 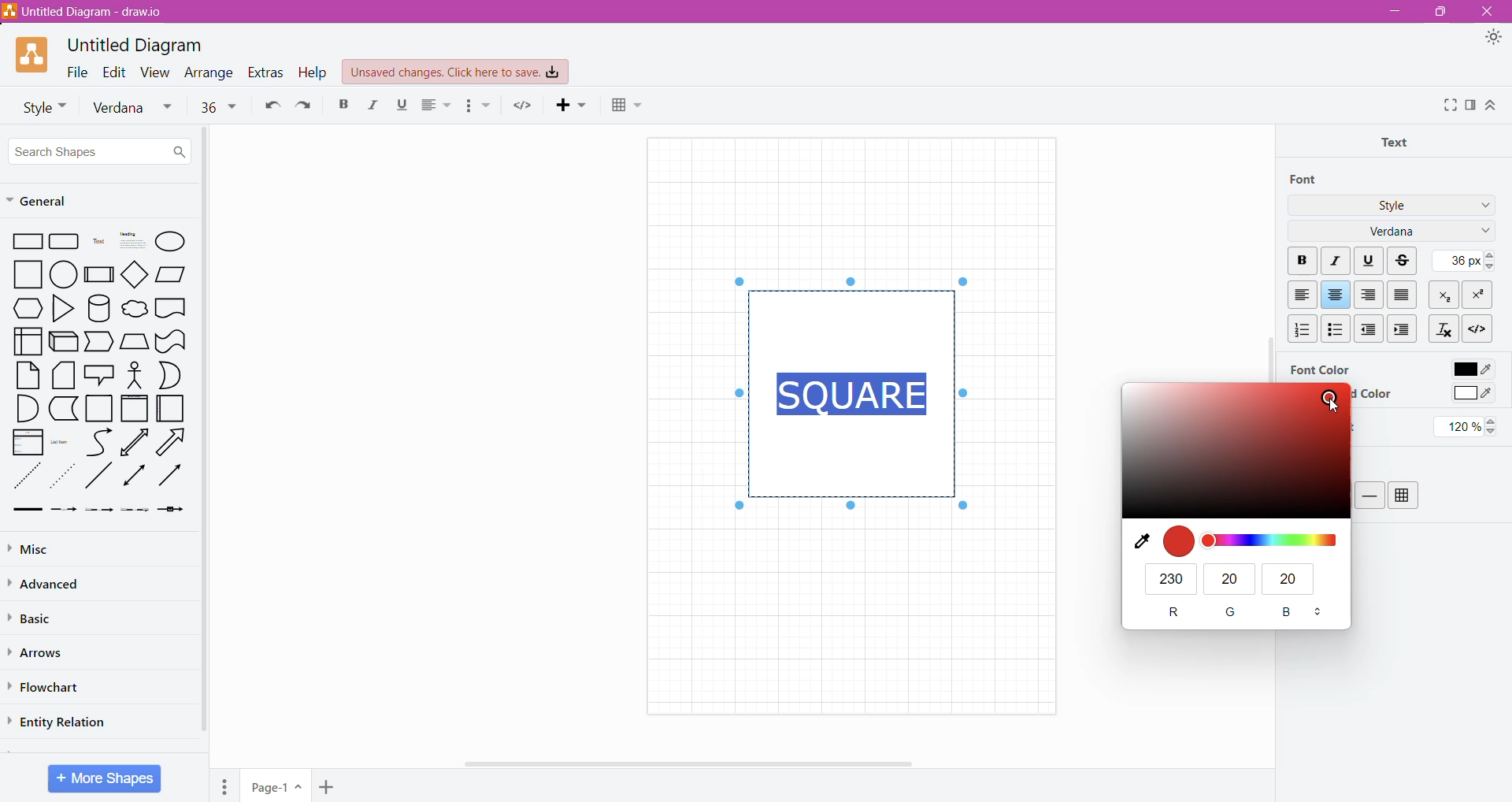 What do you see at coordinates (695, 763) in the screenshot?
I see `Horizontal Scroll Bar` at bounding box center [695, 763].